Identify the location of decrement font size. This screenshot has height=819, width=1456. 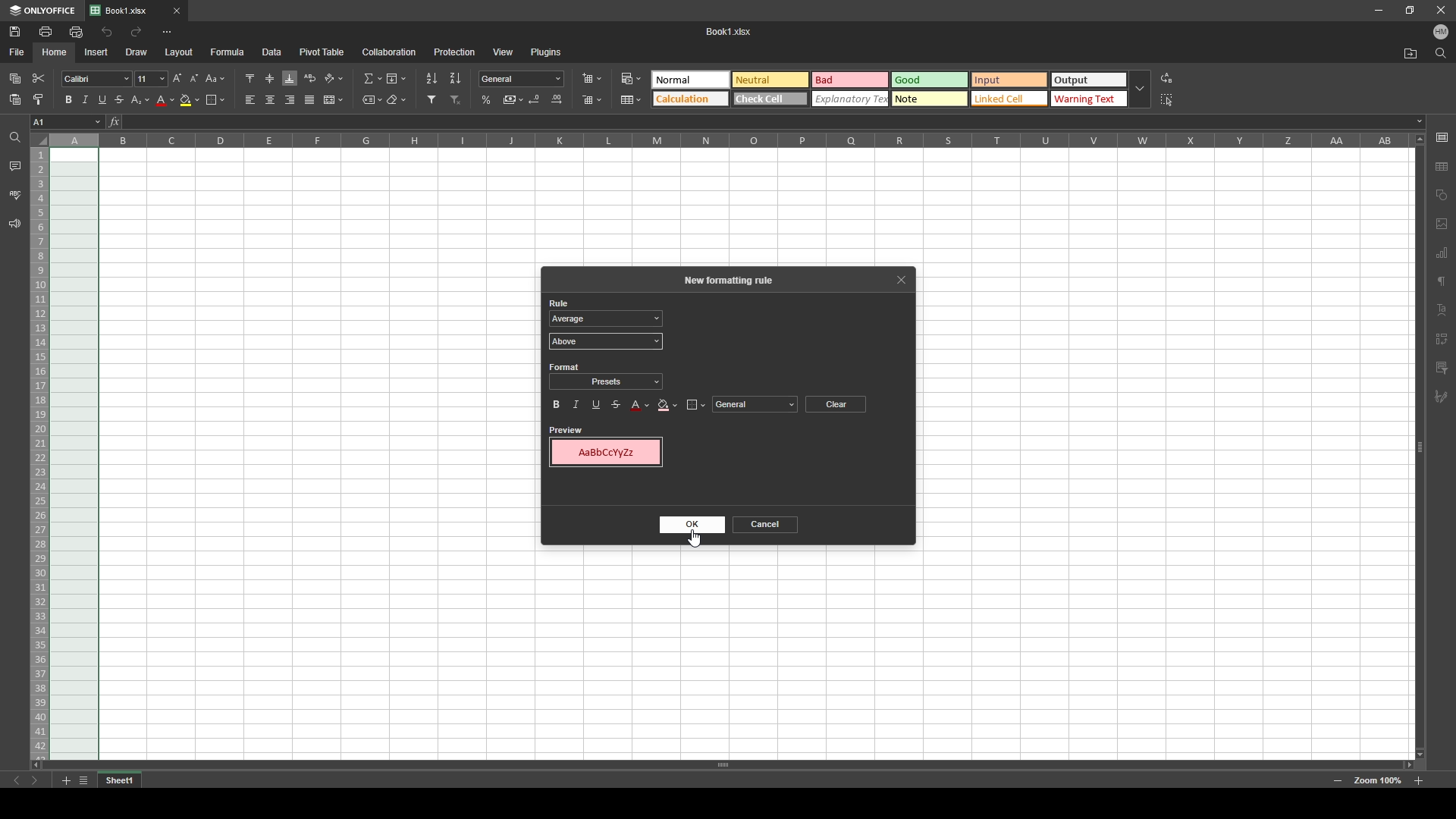
(194, 78).